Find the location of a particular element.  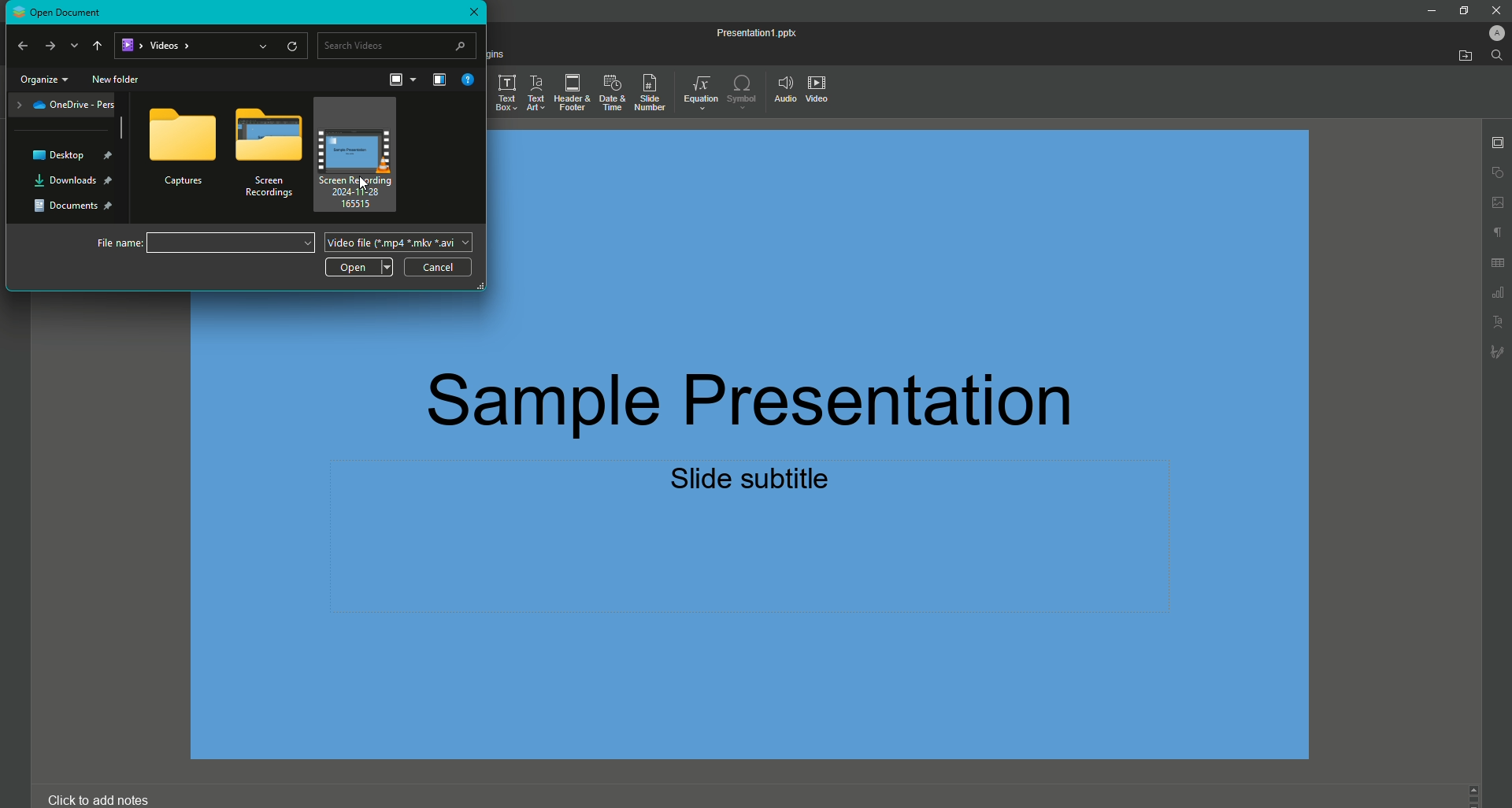

Minimize is located at coordinates (1429, 12).